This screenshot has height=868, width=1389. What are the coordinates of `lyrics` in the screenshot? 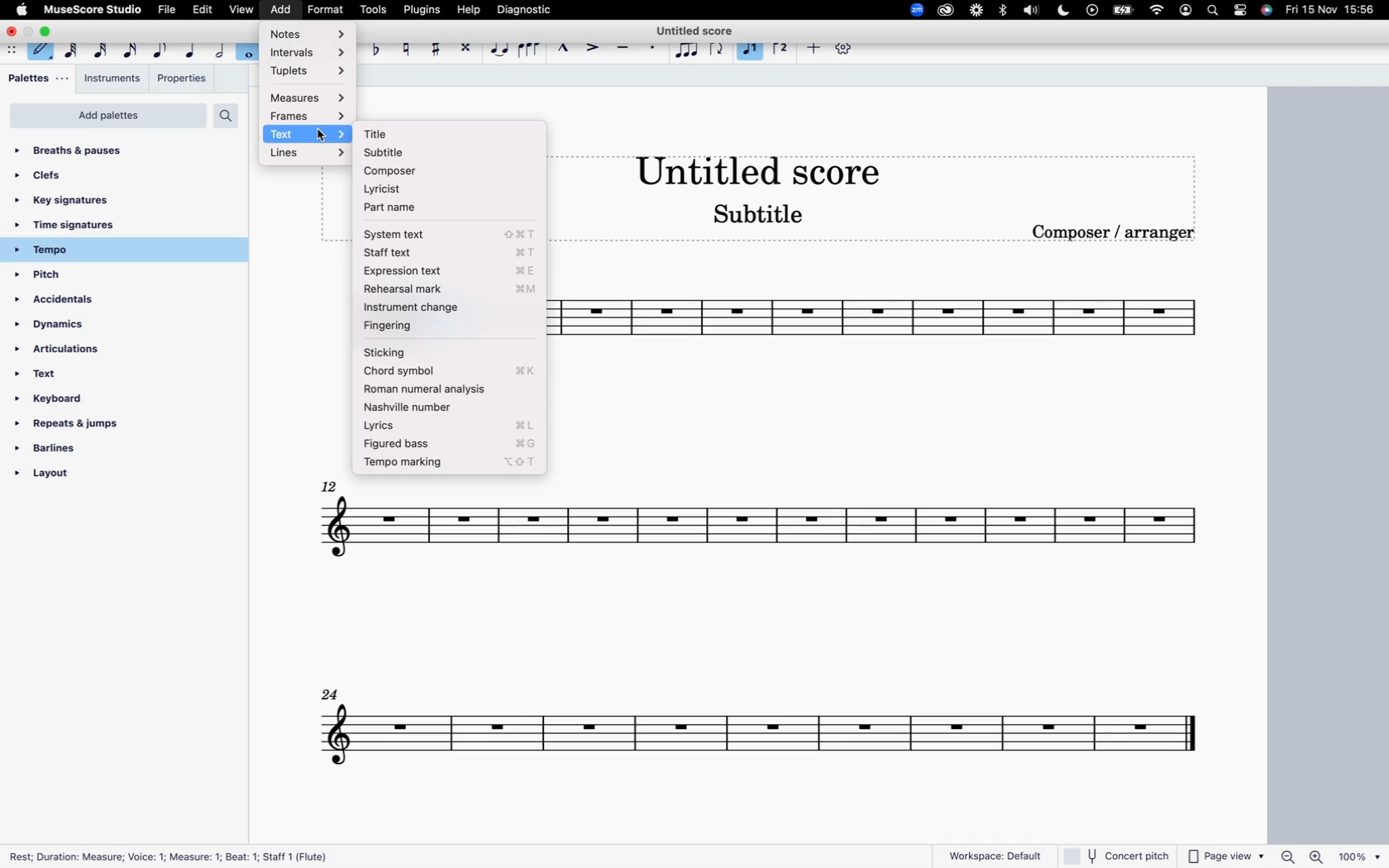 It's located at (451, 427).